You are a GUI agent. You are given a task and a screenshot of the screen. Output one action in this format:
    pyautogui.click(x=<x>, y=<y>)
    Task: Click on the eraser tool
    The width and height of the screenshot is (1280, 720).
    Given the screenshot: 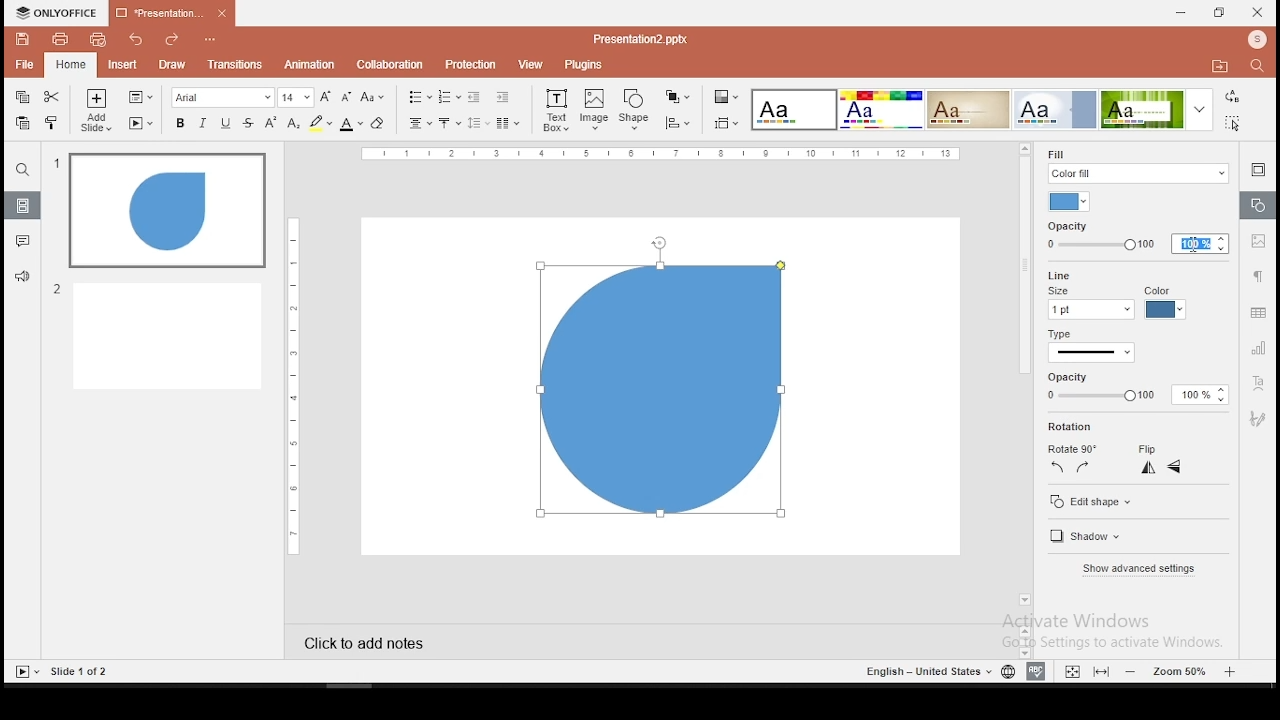 What is the action you would take?
    pyautogui.click(x=378, y=123)
    